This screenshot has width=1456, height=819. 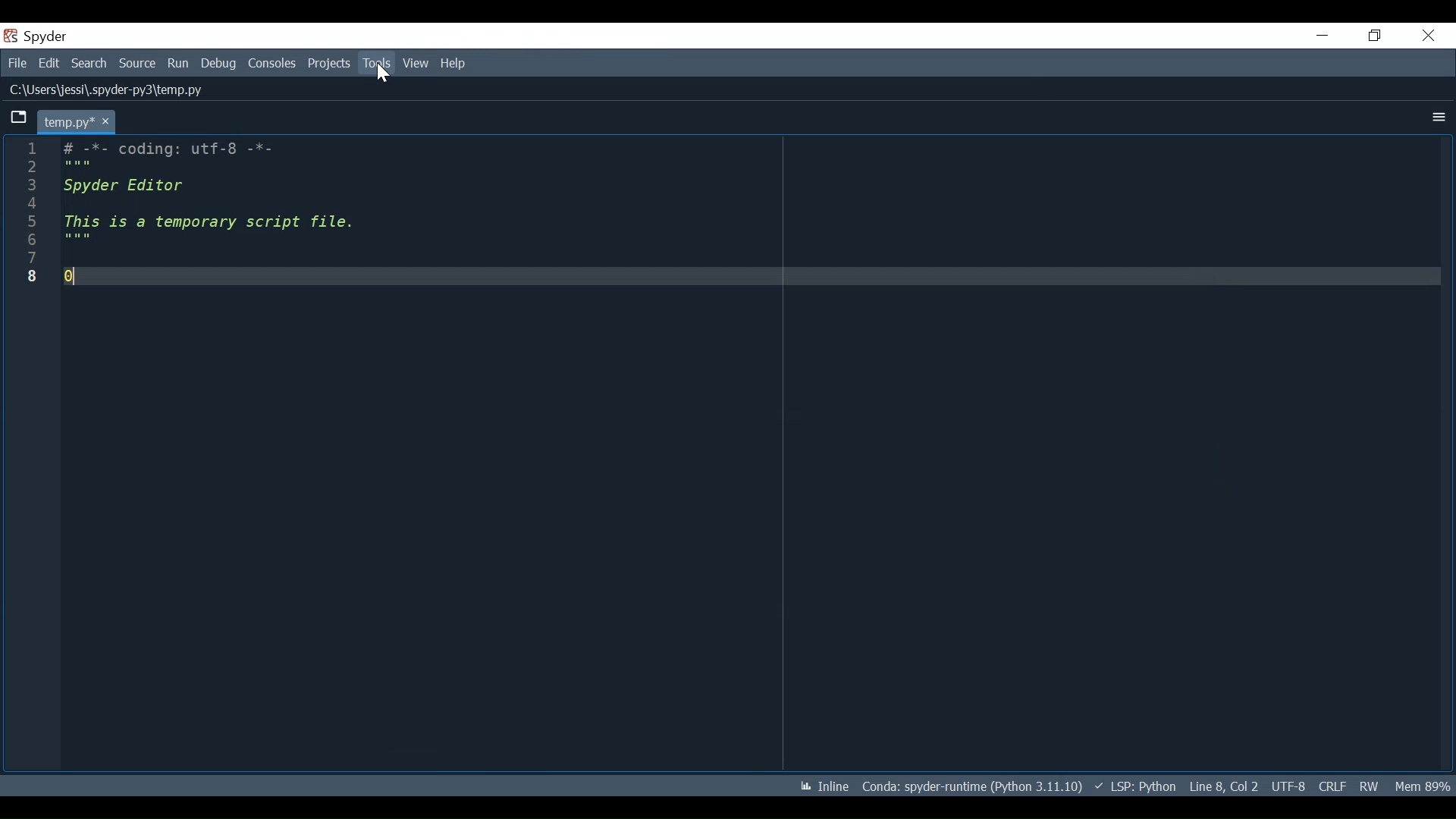 What do you see at coordinates (1222, 786) in the screenshot?
I see `Cursor Position` at bounding box center [1222, 786].